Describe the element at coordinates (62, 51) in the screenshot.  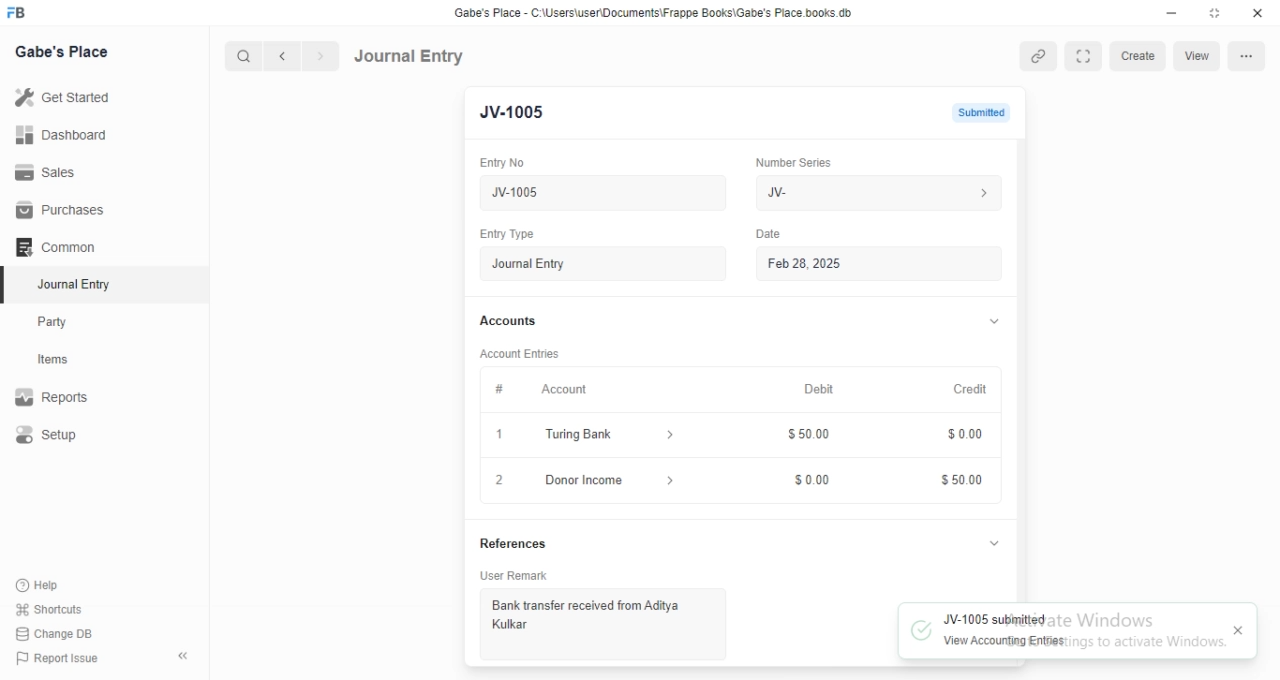
I see `Gabe's Place` at that location.